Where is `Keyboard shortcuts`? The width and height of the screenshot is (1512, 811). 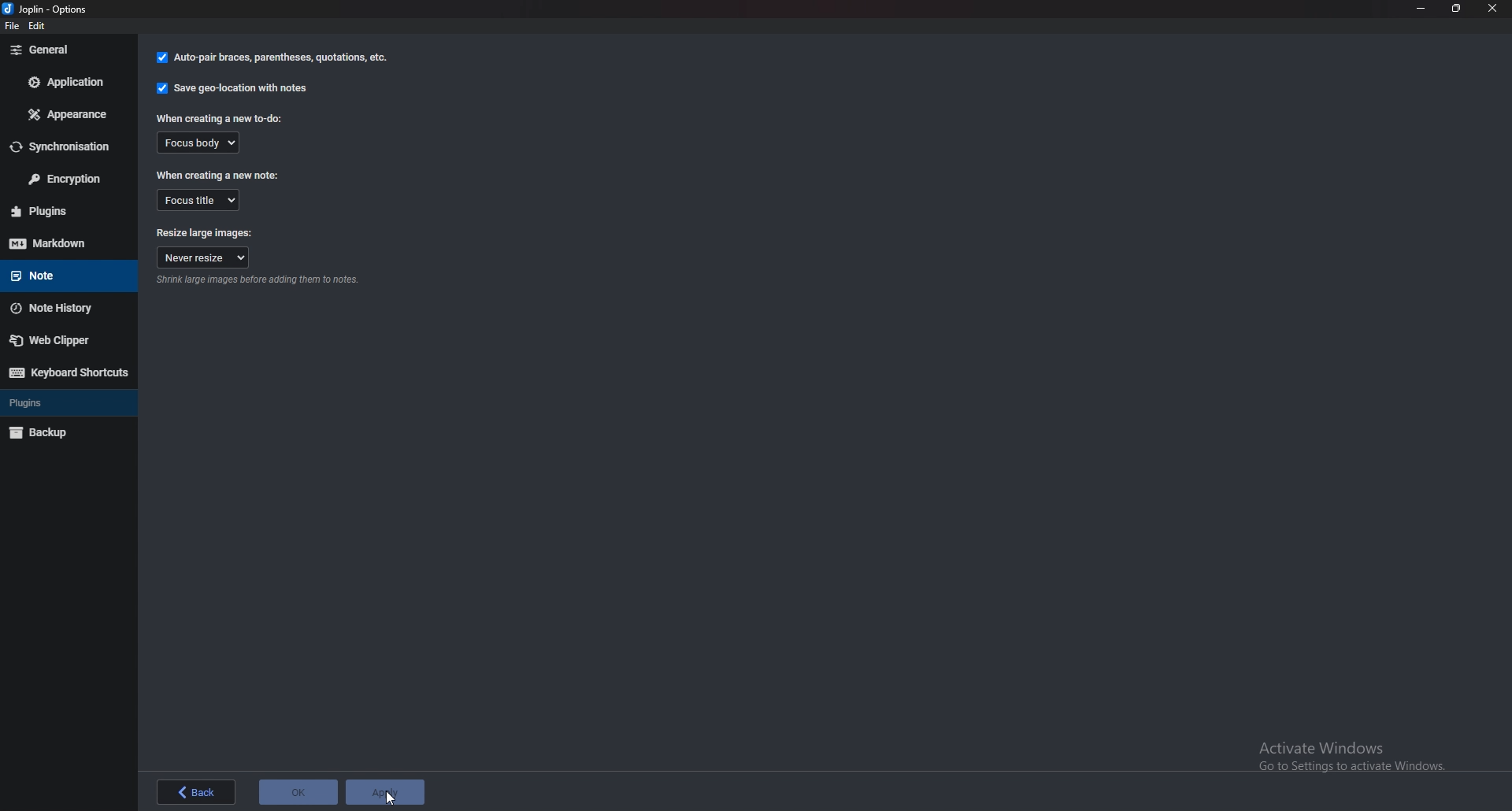 Keyboard shortcuts is located at coordinates (67, 372).